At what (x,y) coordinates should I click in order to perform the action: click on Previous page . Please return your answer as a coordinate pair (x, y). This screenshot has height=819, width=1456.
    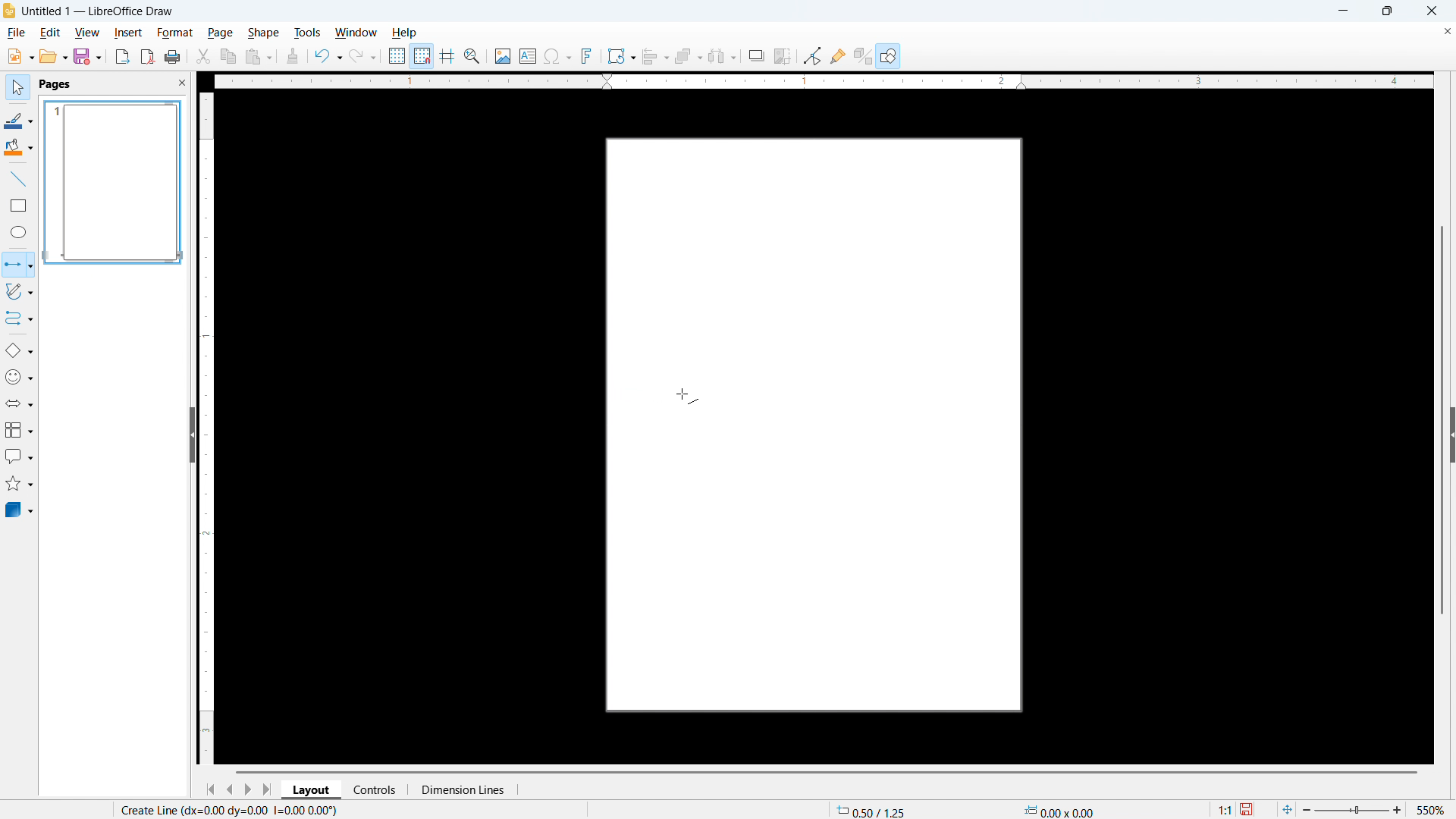
    Looking at the image, I should click on (229, 789).